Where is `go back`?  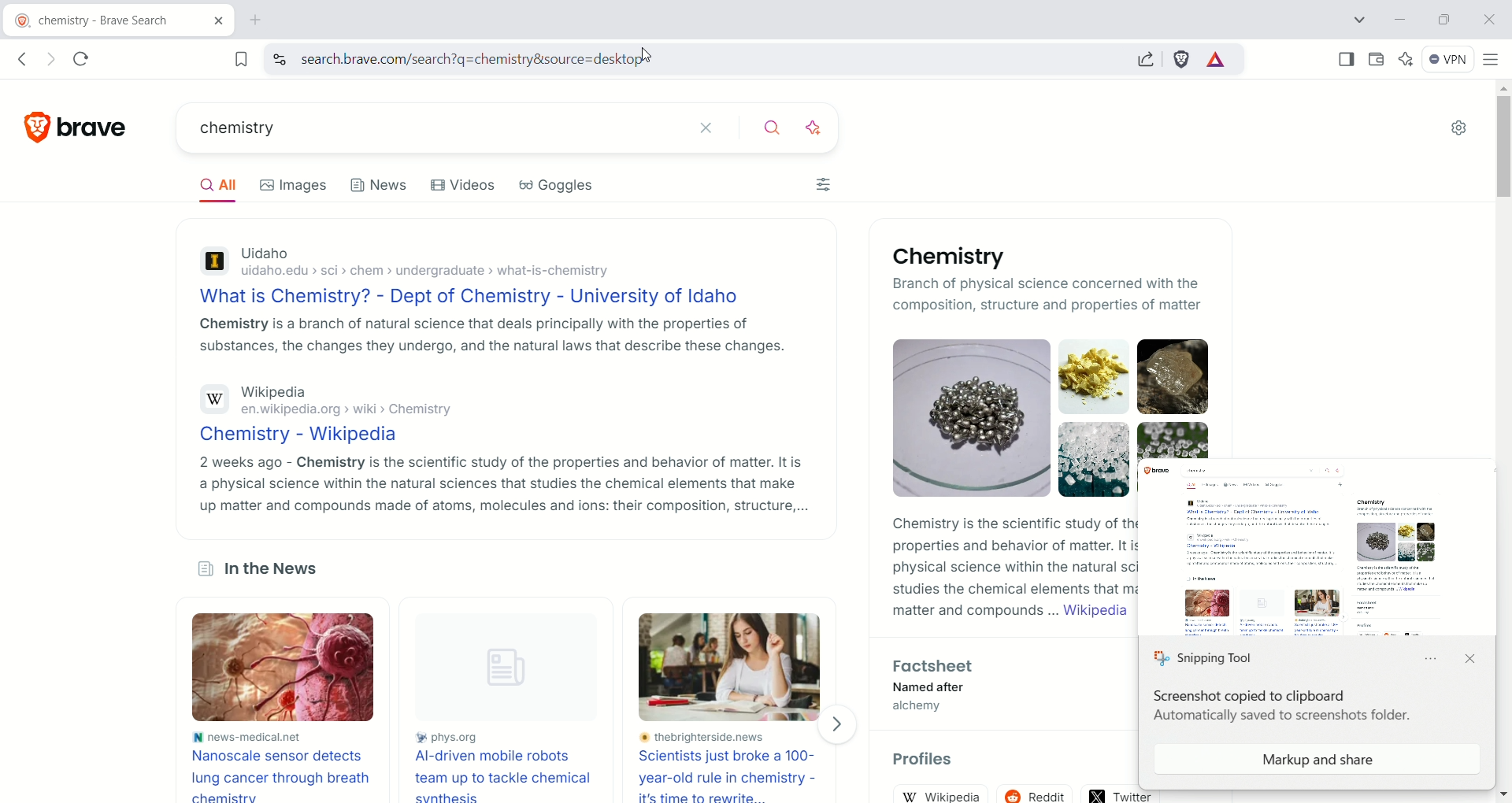
go back is located at coordinates (21, 60).